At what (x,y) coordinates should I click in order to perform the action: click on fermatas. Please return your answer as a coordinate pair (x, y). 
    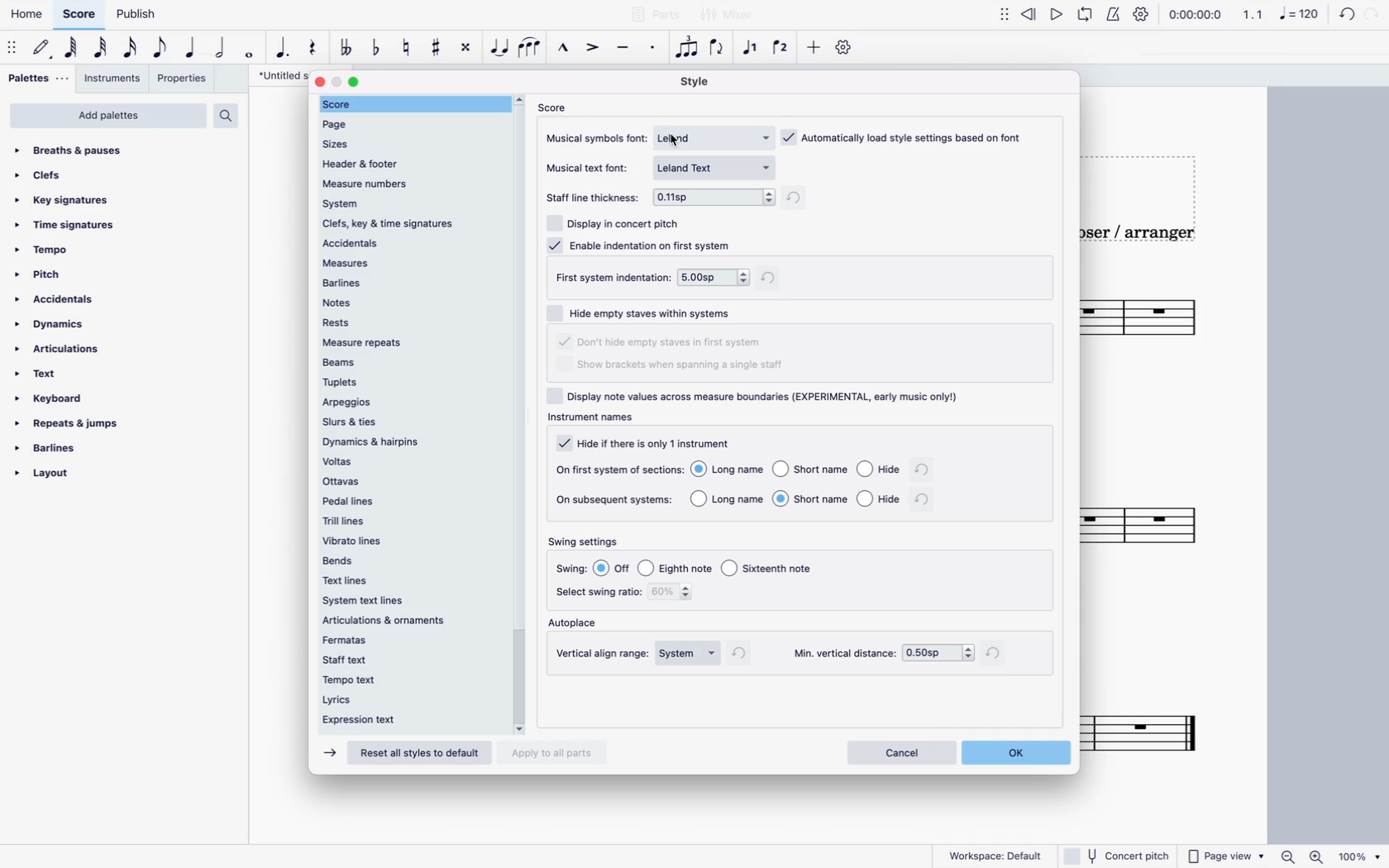
    Looking at the image, I should click on (411, 639).